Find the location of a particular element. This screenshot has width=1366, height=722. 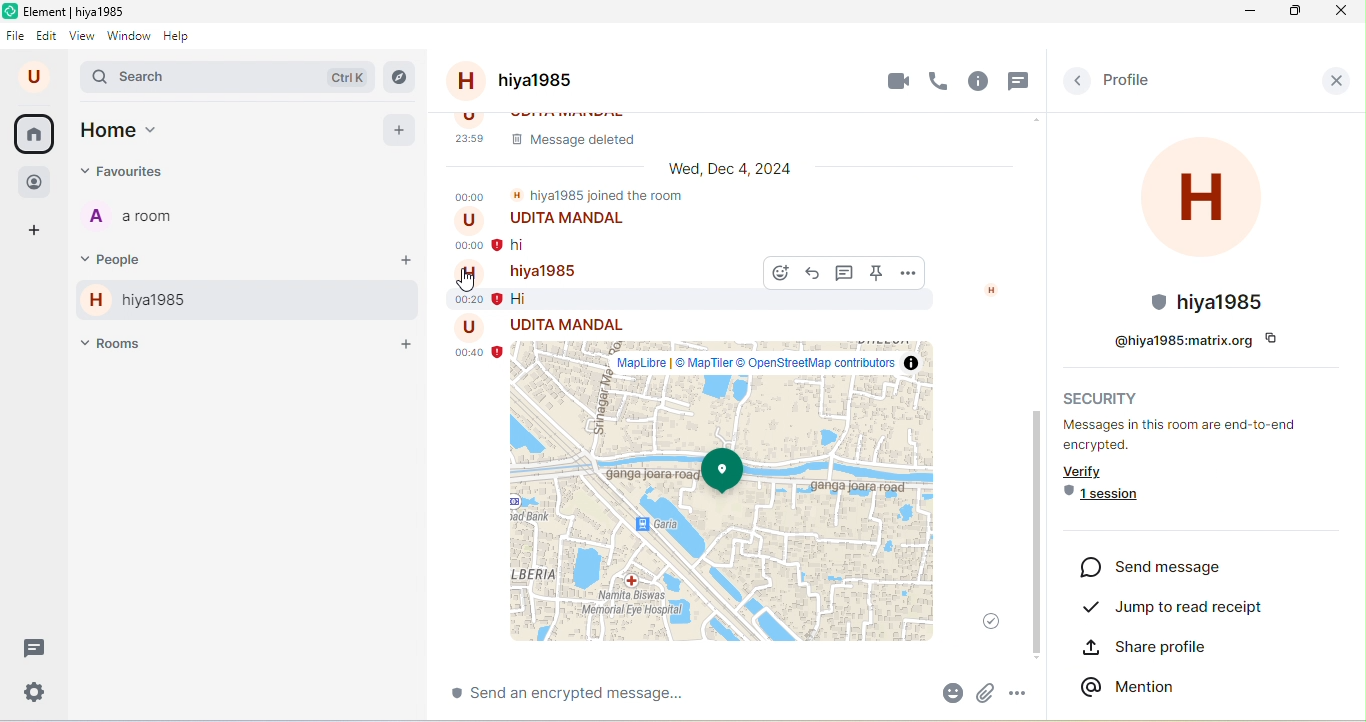

emoji is located at coordinates (945, 692).